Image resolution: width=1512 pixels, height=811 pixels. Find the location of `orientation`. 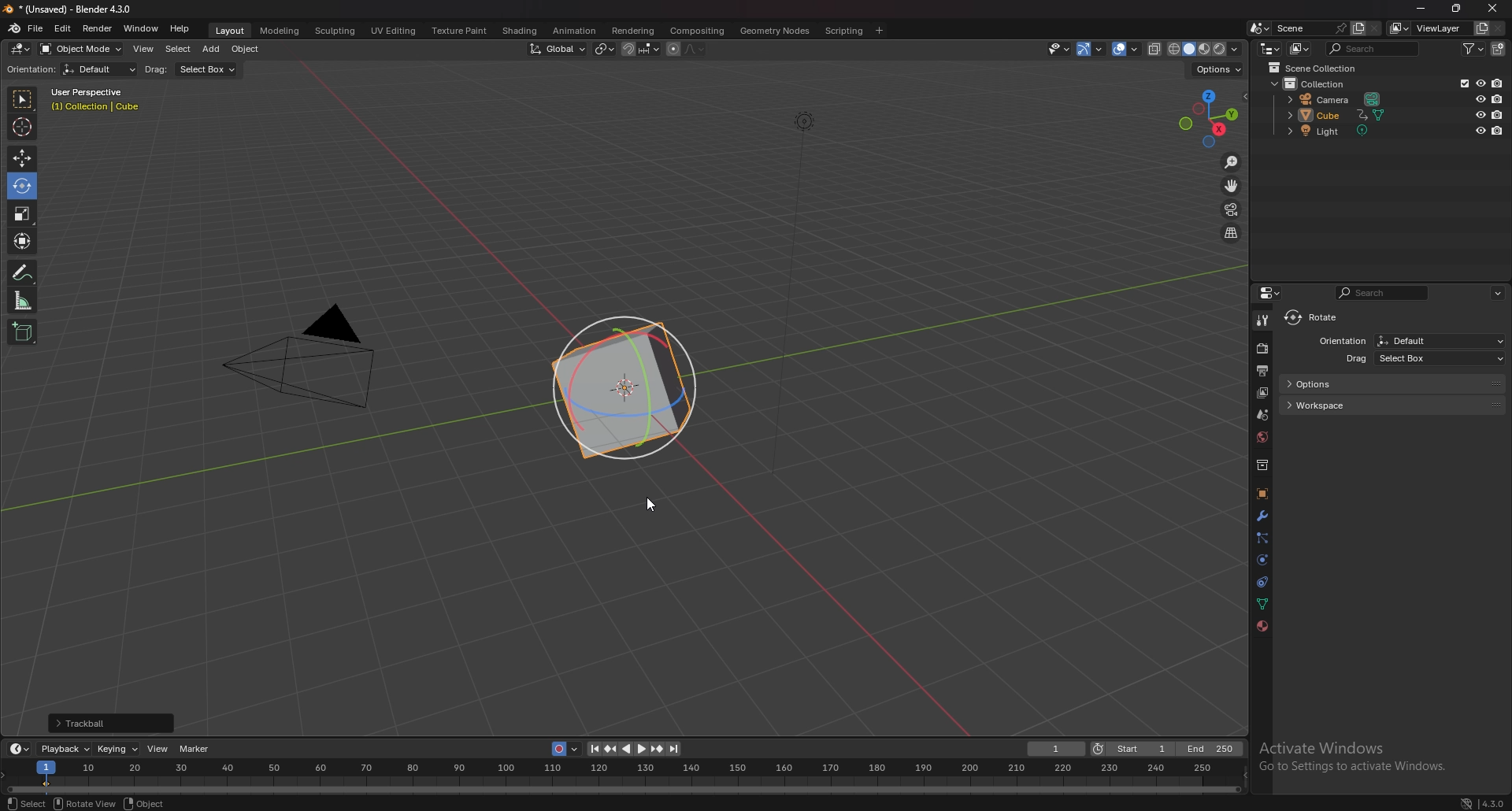

orientation is located at coordinates (30, 69).